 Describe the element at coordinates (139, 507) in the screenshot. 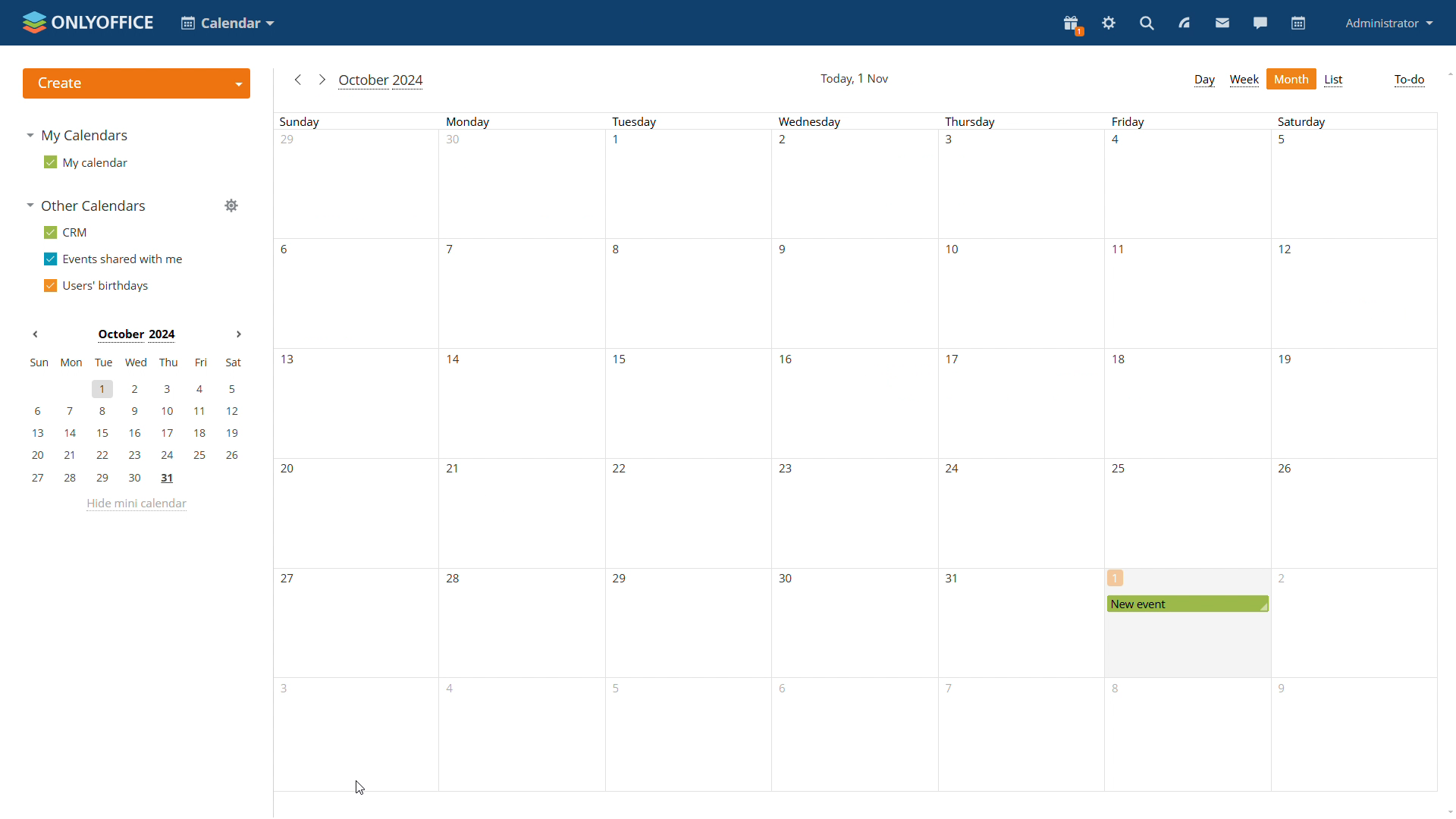

I see `hide mini calendar` at that location.